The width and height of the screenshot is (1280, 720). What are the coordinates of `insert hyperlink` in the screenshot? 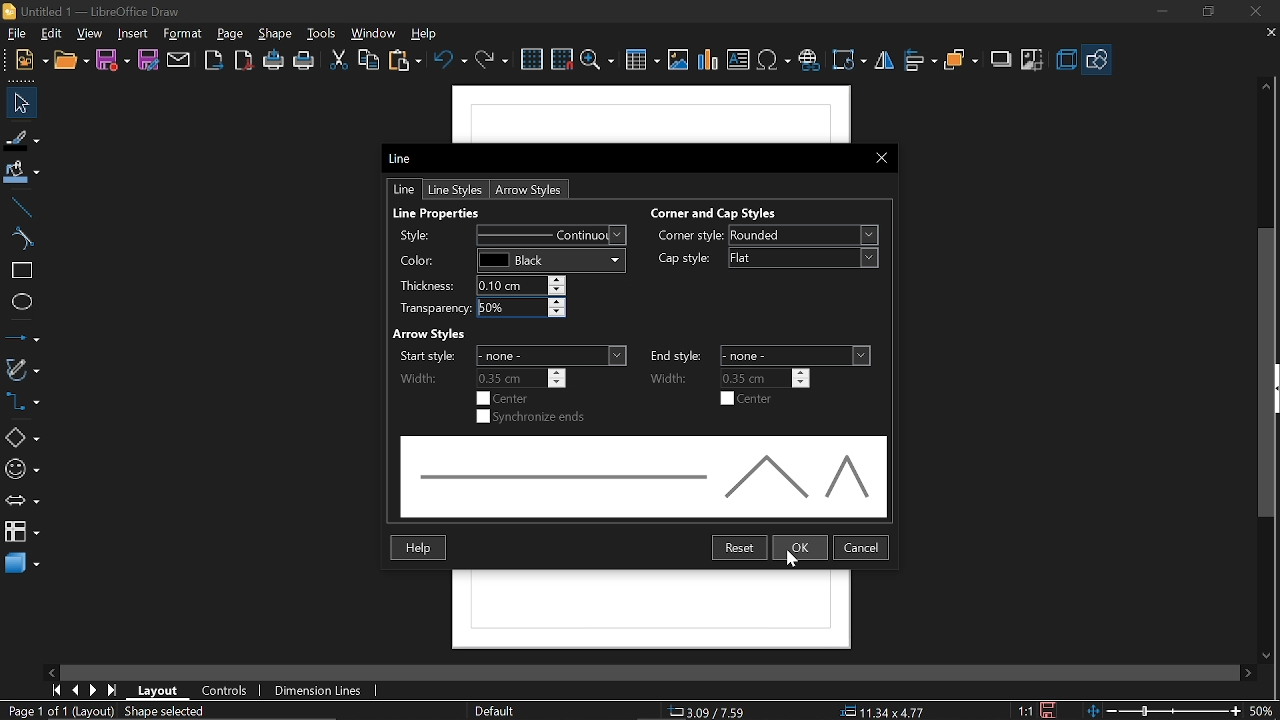 It's located at (809, 60).